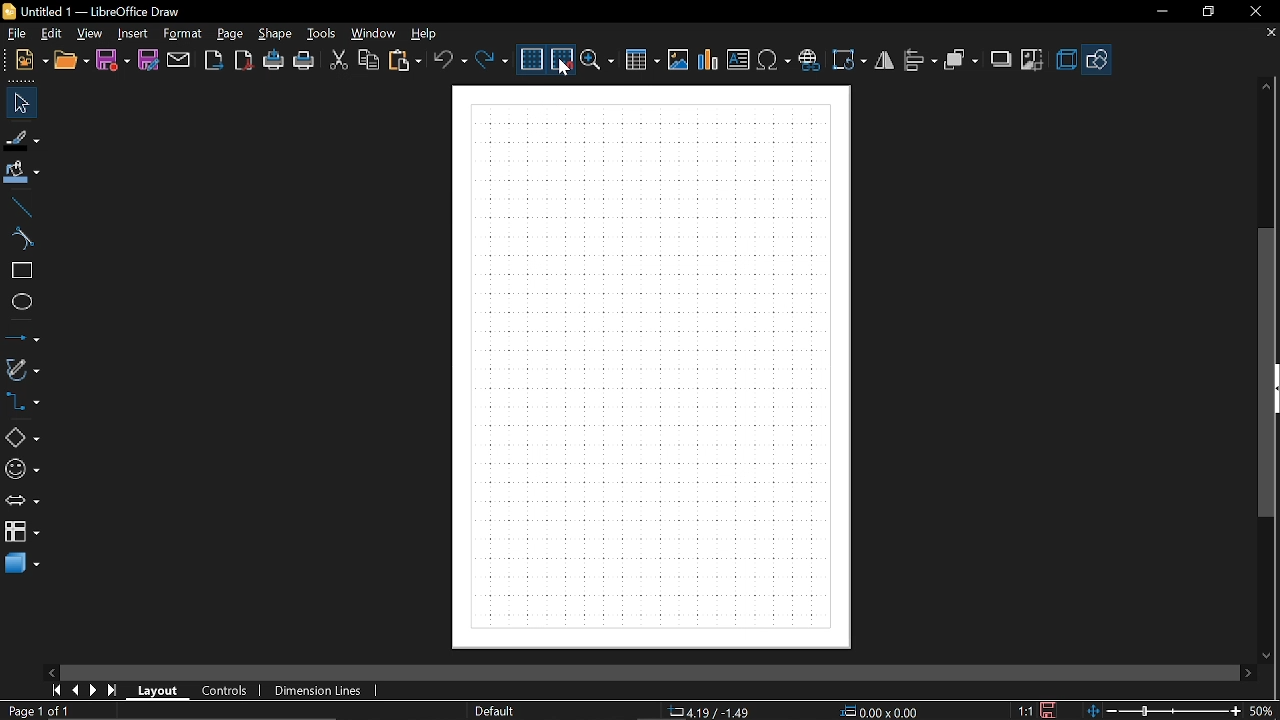 This screenshot has height=720, width=1280. Describe the element at coordinates (95, 690) in the screenshot. I see `next page` at that location.